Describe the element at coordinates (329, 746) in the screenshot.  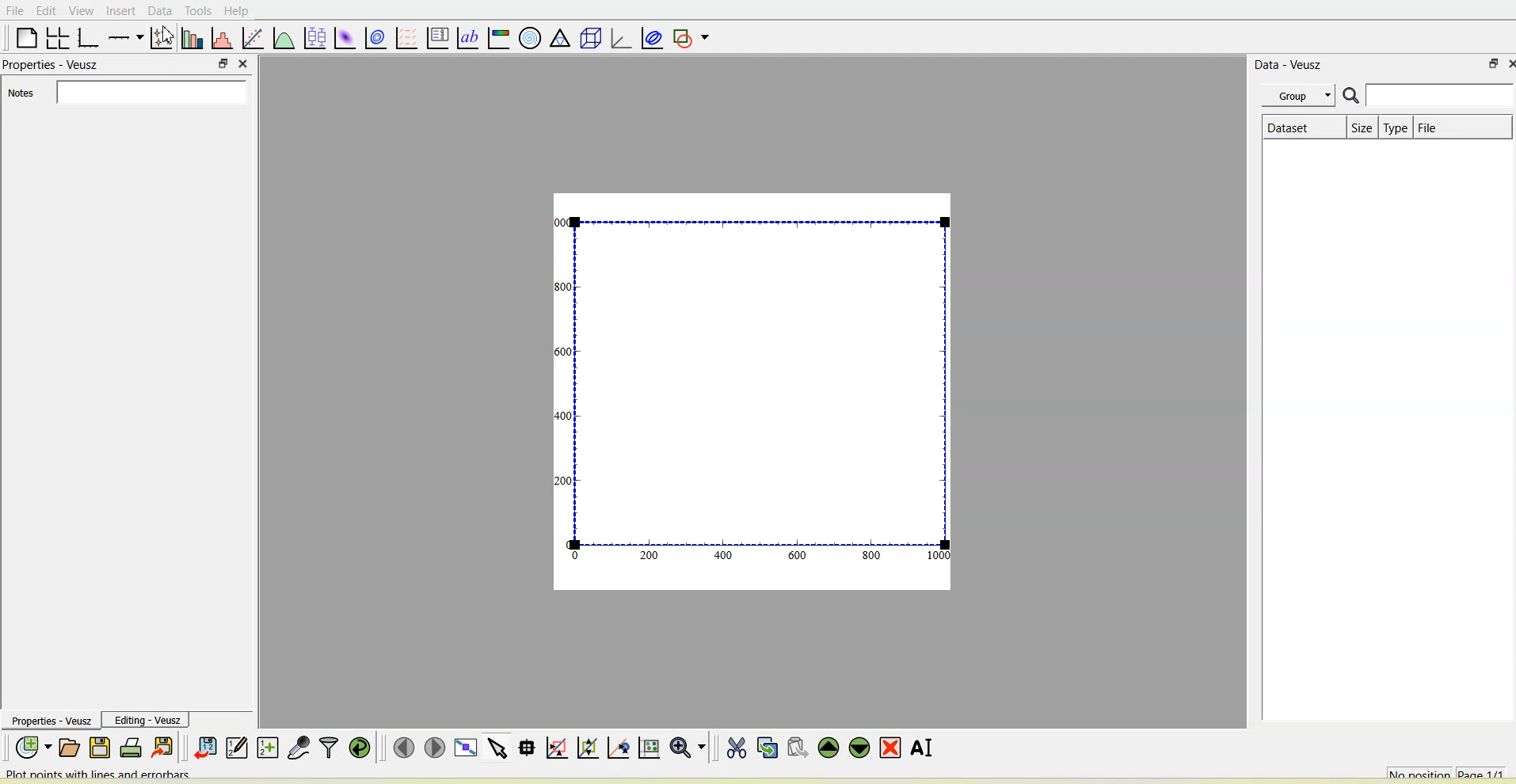
I see `Filter data` at that location.